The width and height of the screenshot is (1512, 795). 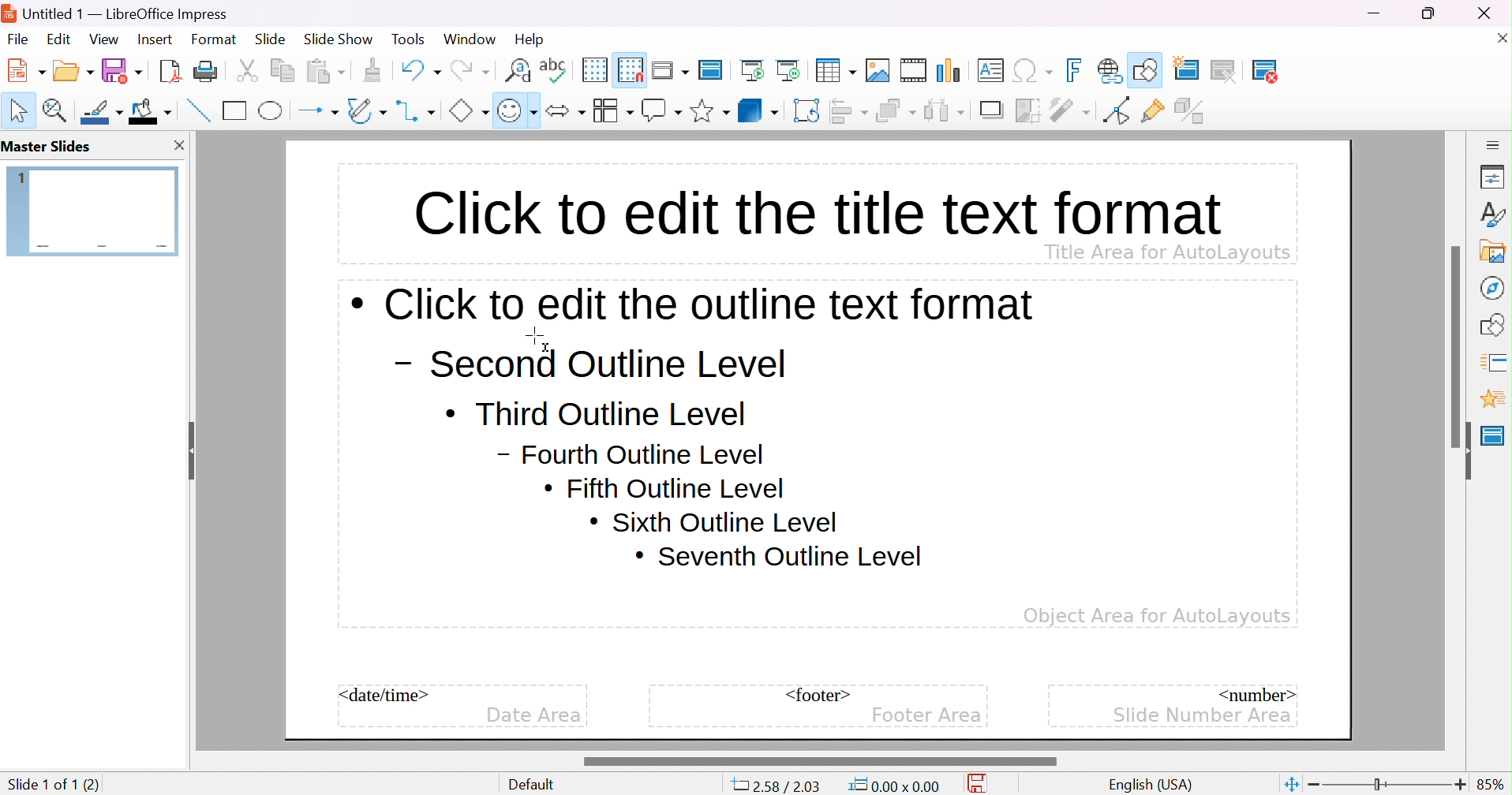 What do you see at coordinates (1494, 214) in the screenshot?
I see `styles` at bounding box center [1494, 214].